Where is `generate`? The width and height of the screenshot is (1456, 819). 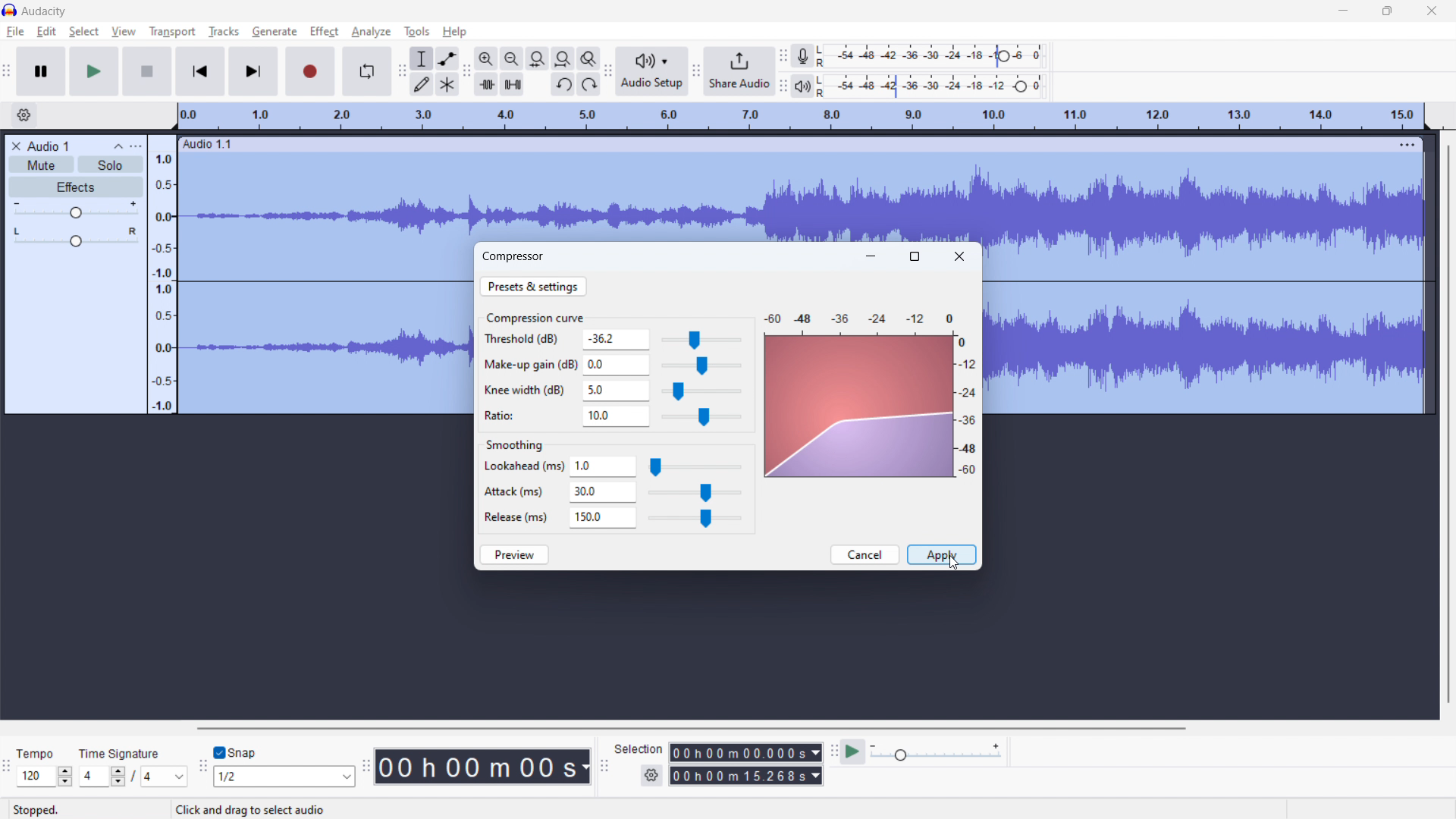
generate is located at coordinates (275, 32).